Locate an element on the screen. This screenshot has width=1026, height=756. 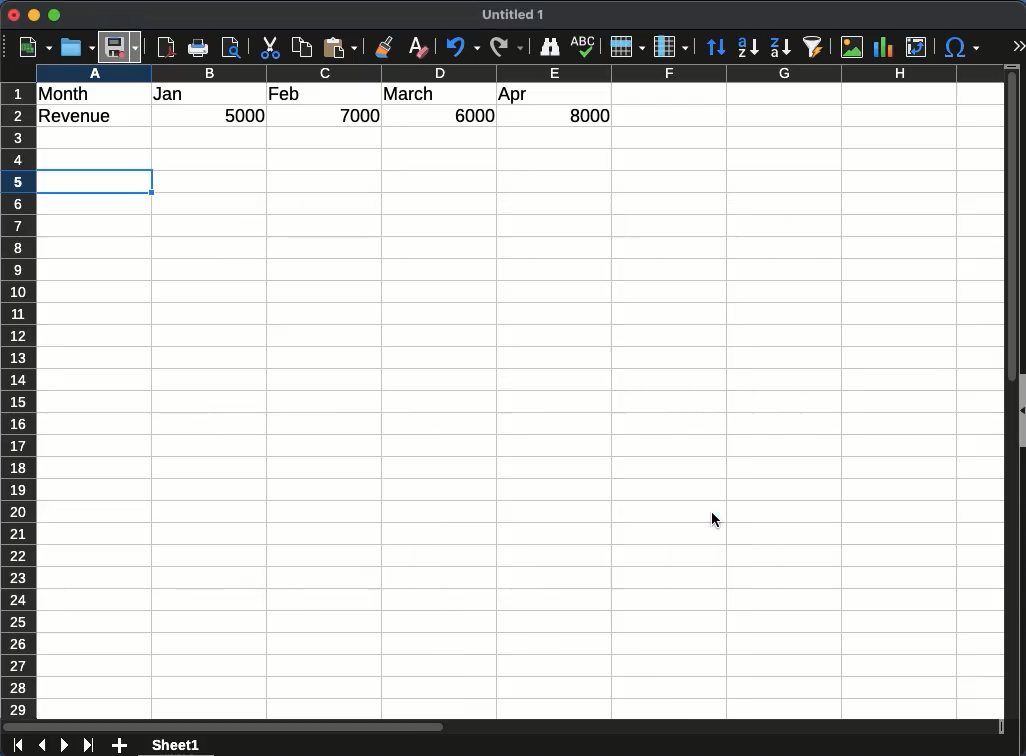
revenue is located at coordinates (80, 117).